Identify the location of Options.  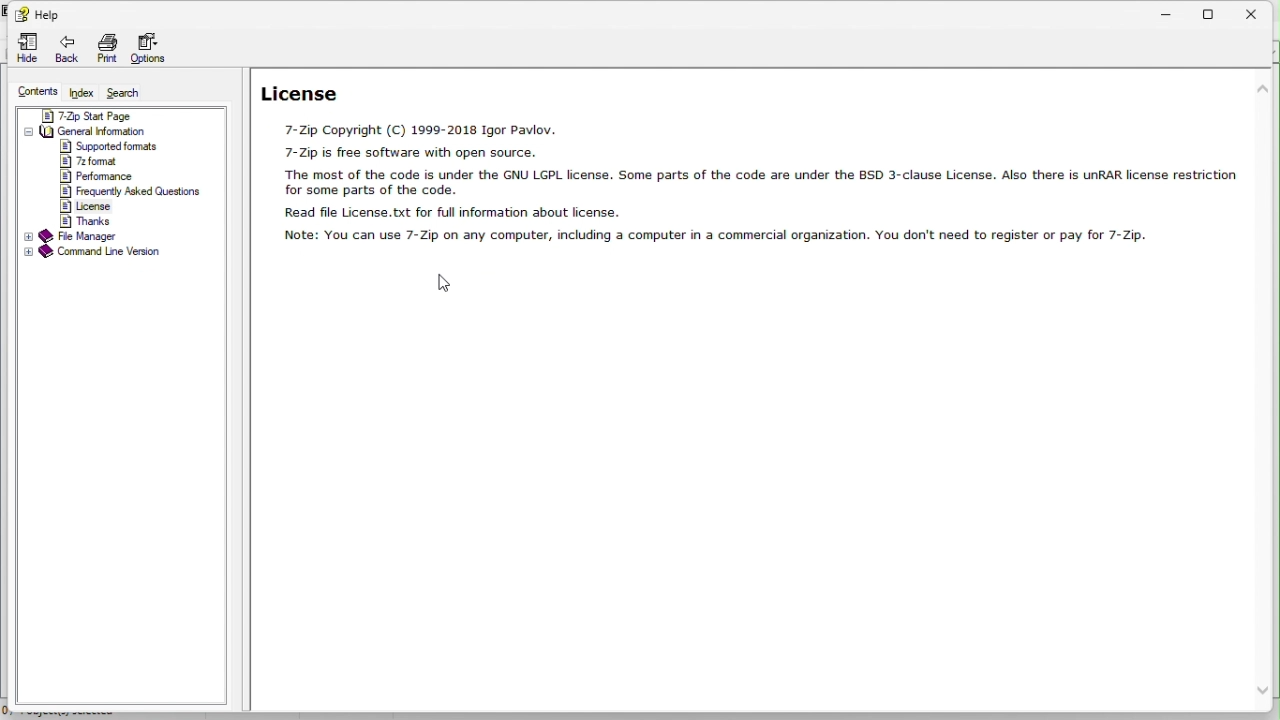
(155, 50).